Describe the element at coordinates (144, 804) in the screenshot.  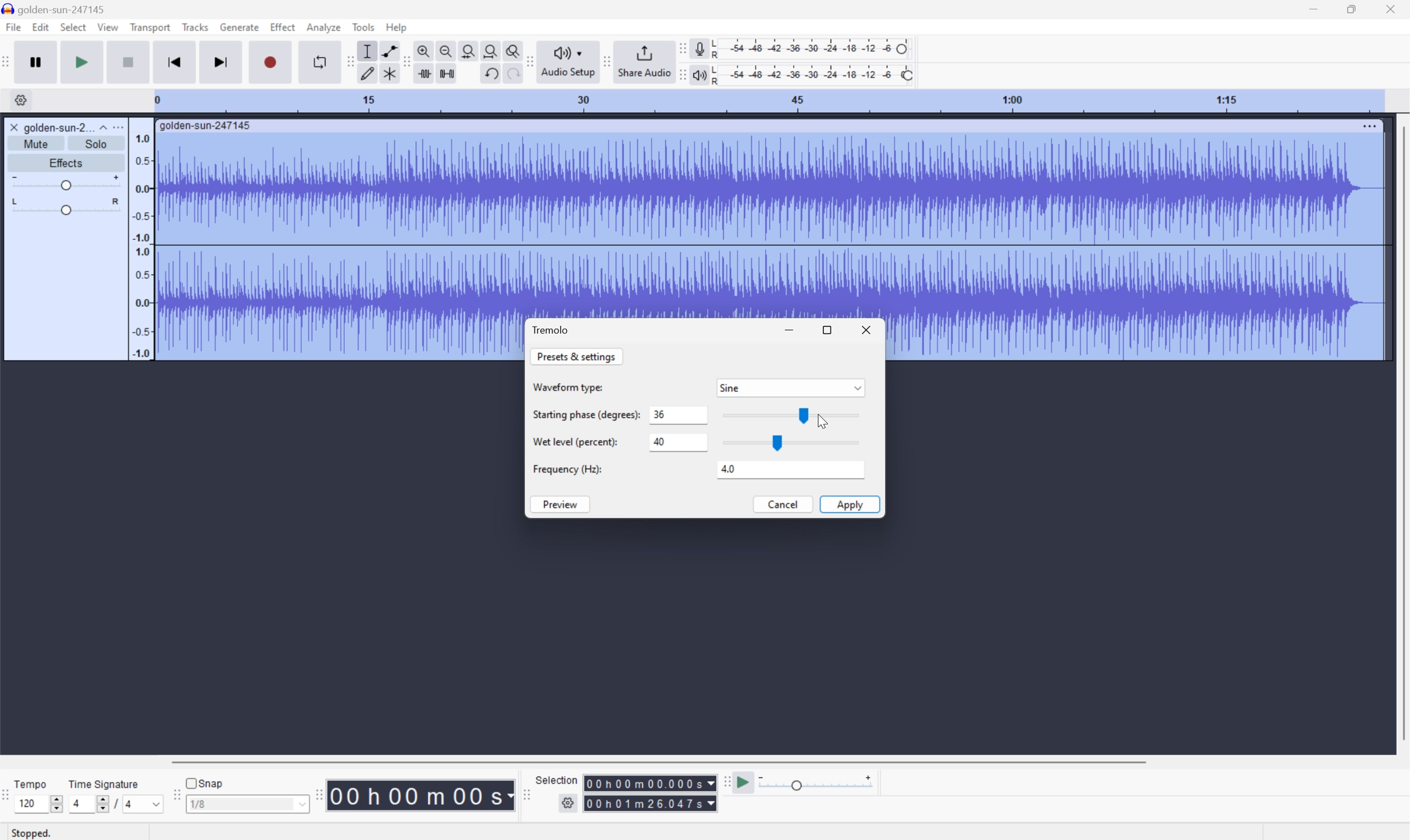
I see `4` at that location.